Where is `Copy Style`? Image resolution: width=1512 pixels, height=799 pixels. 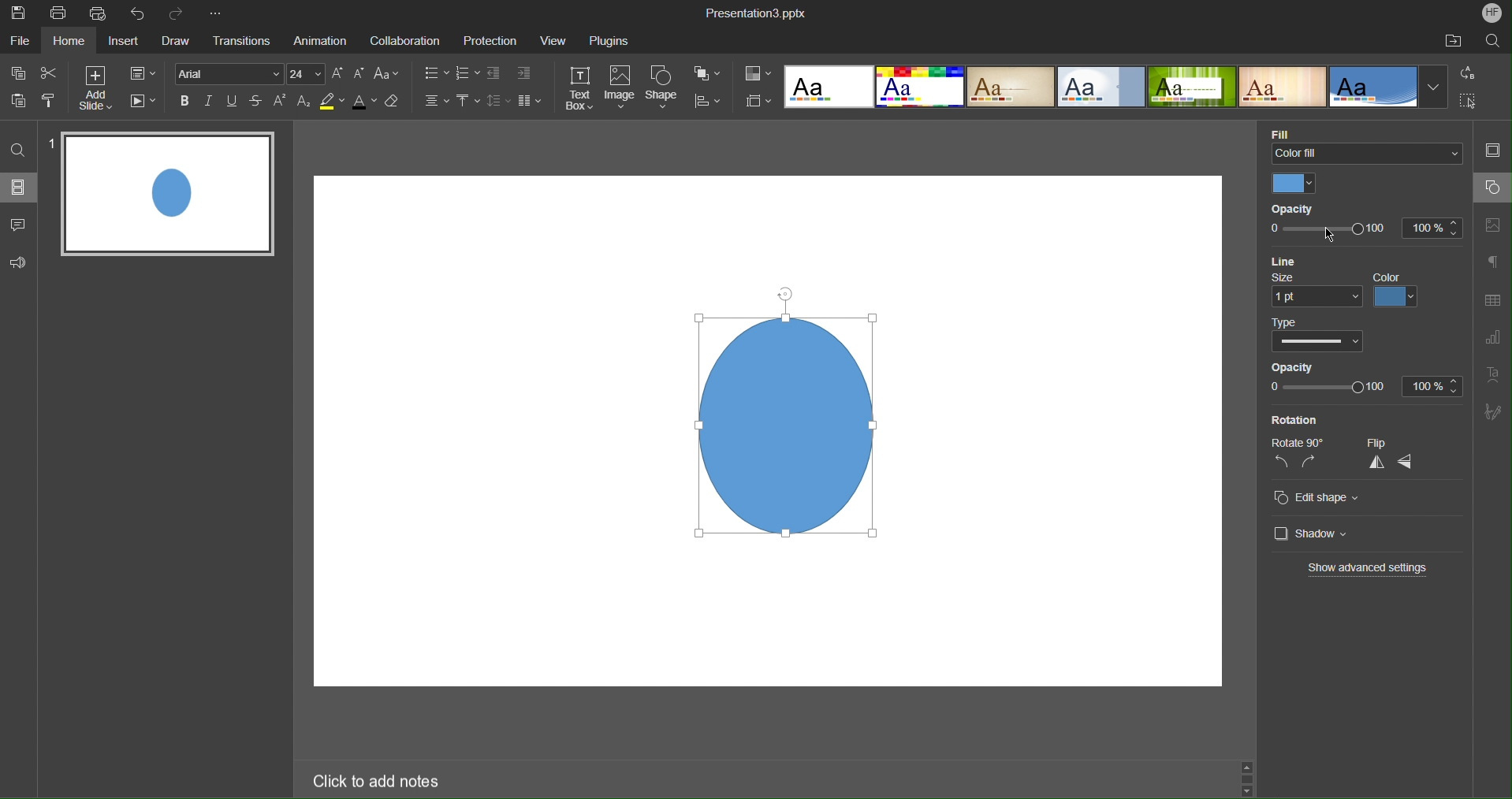
Copy Style is located at coordinates (50, 101).